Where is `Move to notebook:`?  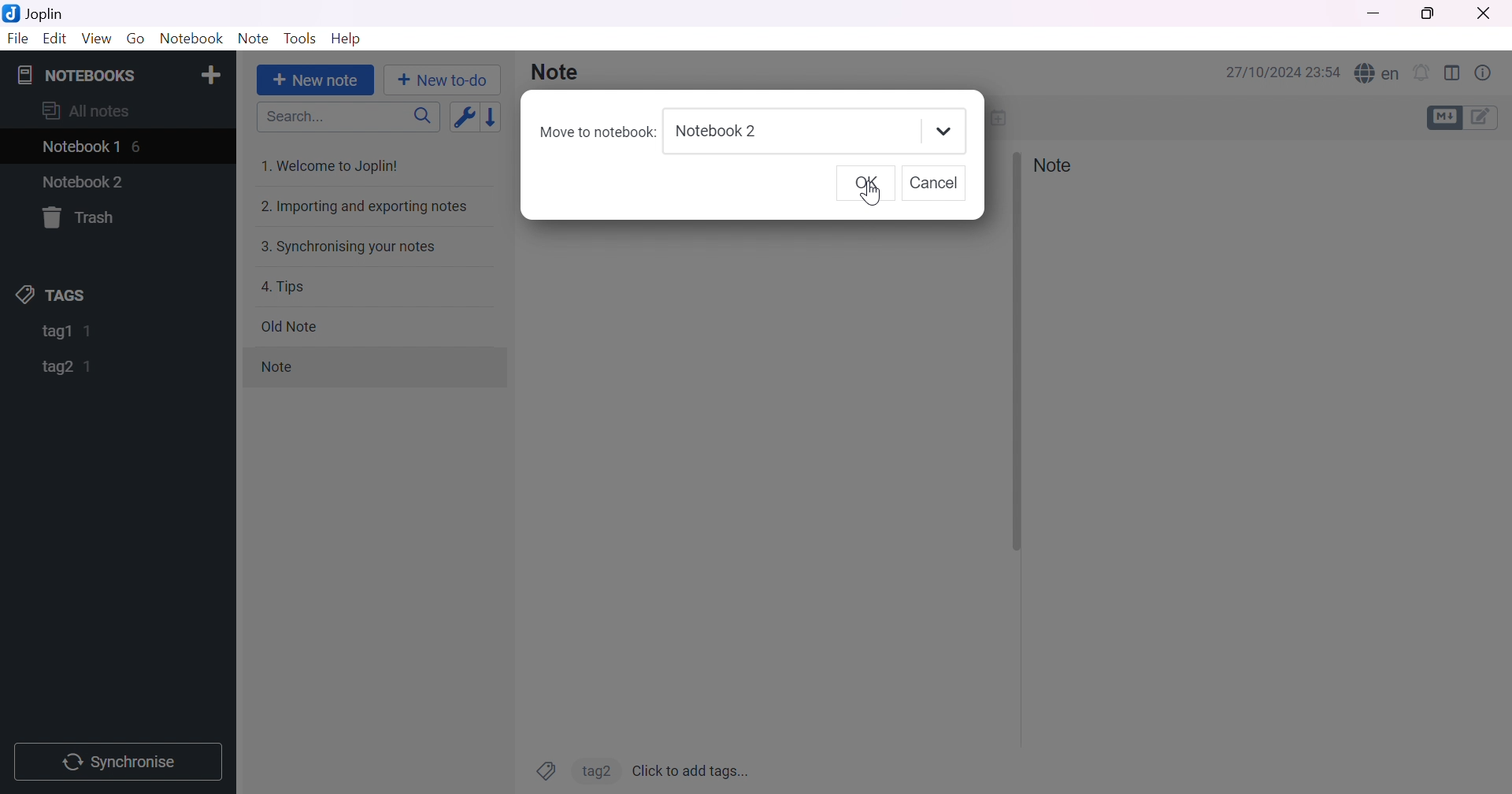 Move to notebook: is located at coordinates (596, 132).